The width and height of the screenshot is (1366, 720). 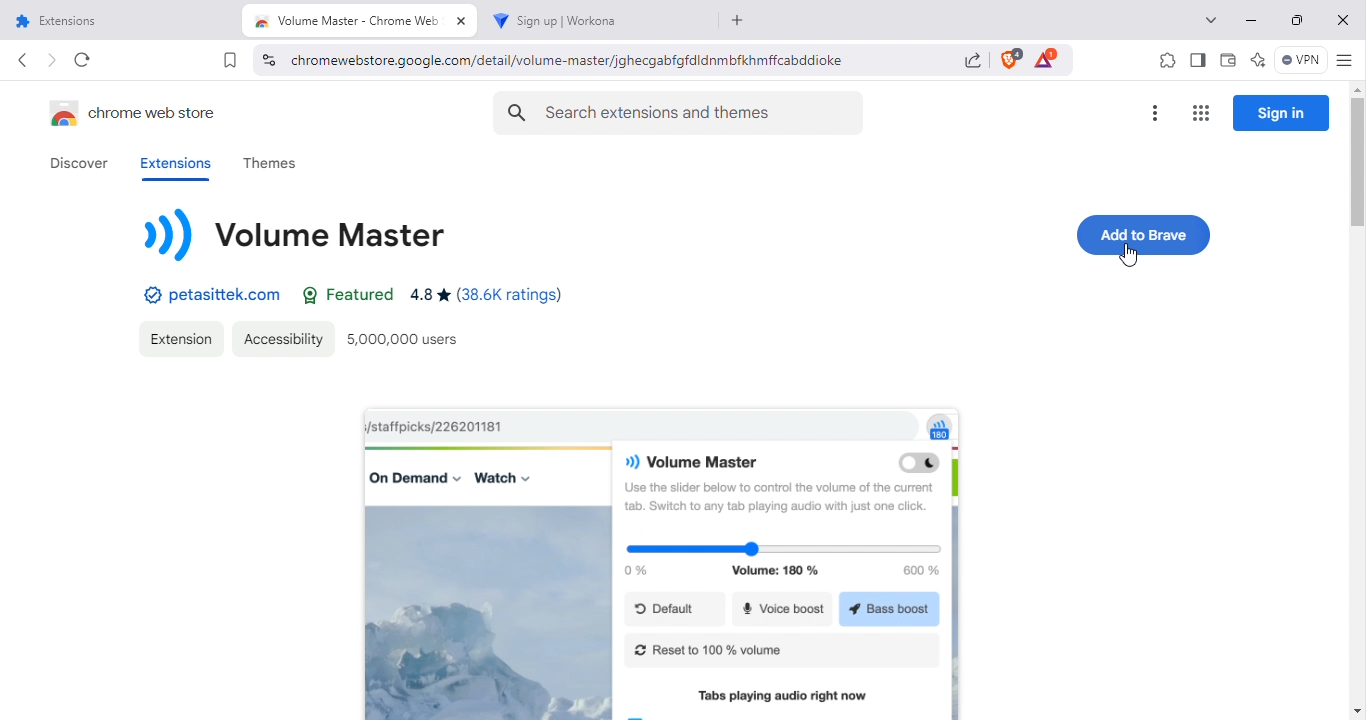 What do you see at coordinates (969, 61) in the screenshot?
I see `Share this page` at bounding box center [969, 61].